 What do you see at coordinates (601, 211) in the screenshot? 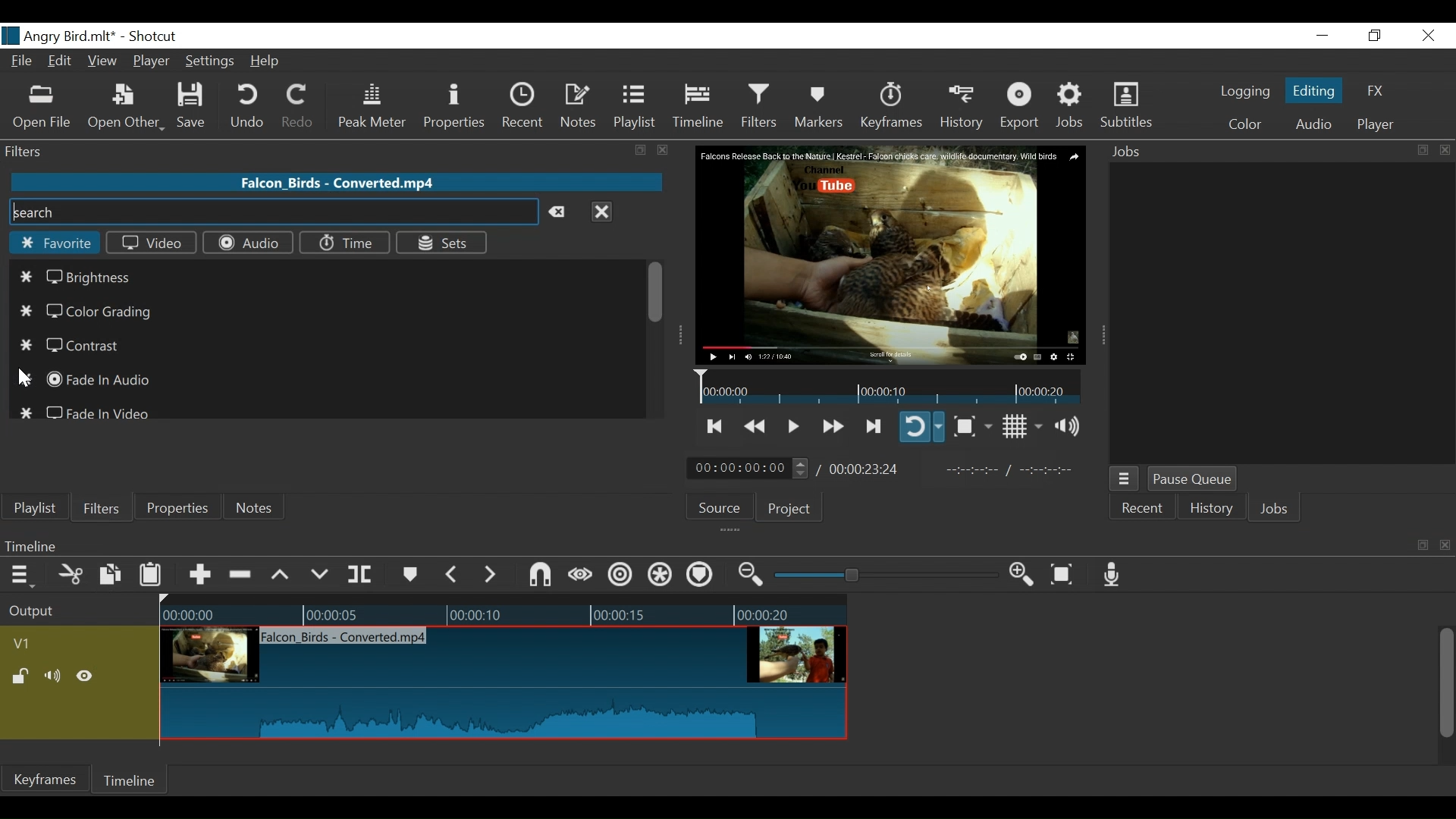
I see `Close menu` at bounding box center [601, 211].